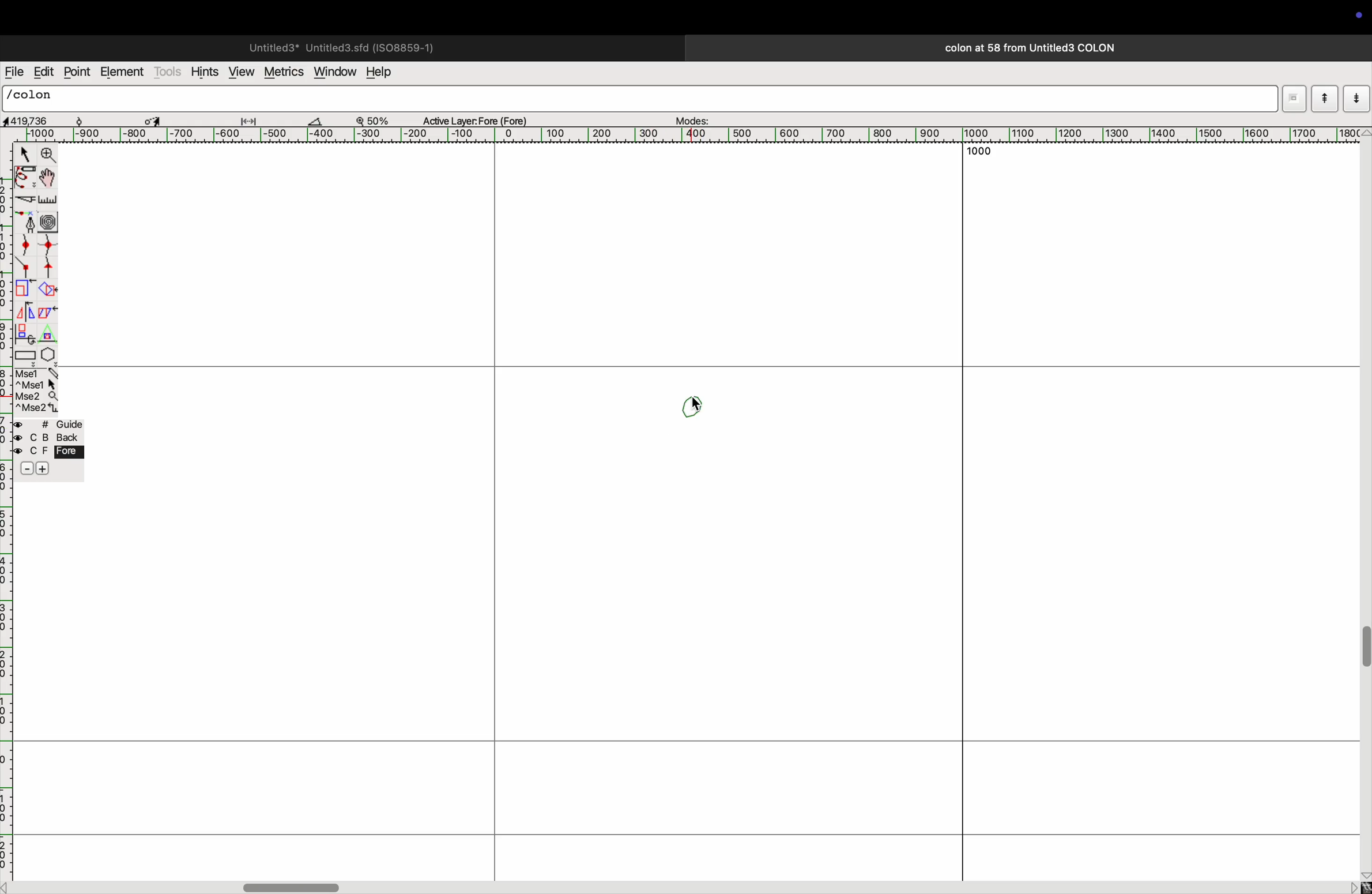 Image resolution: width=1372 pixels, height=894 pixels. Describe the element at coordinates (1025, 48) in the screenshot. I see `colon title` at that location.